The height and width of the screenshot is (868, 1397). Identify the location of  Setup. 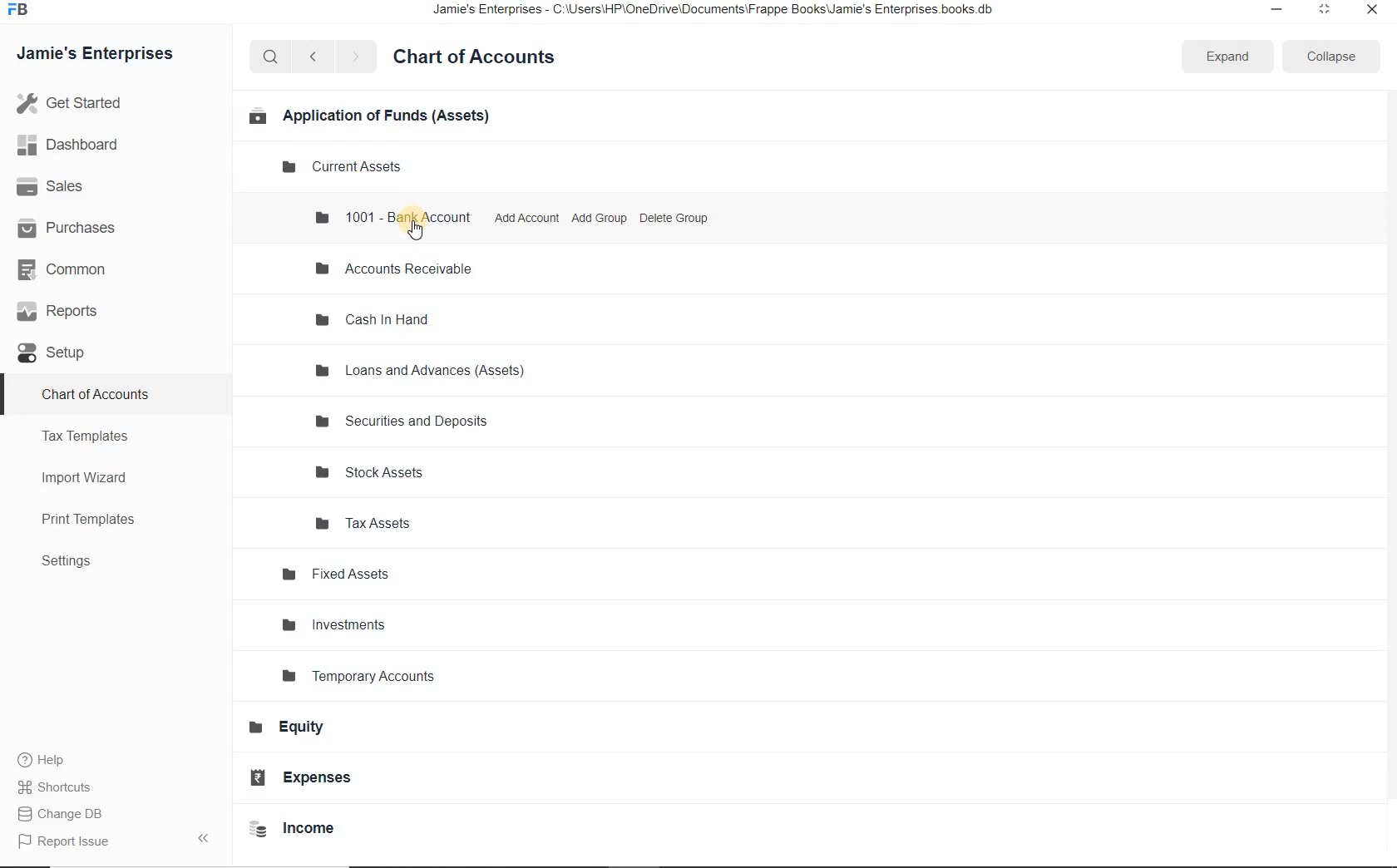
(63, 354).